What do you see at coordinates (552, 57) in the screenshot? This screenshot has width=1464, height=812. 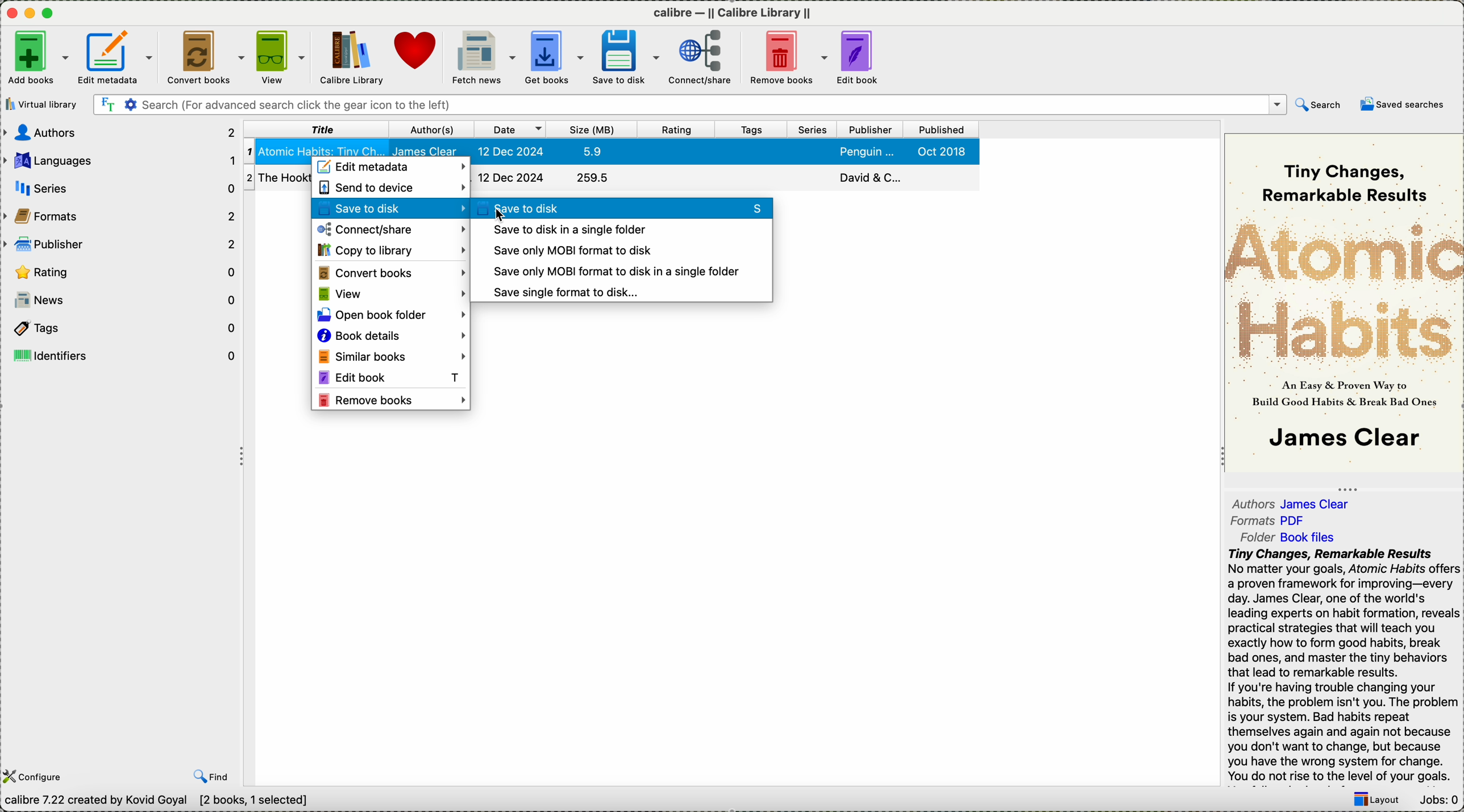 I see `get books` at bounding box center [552, 57].